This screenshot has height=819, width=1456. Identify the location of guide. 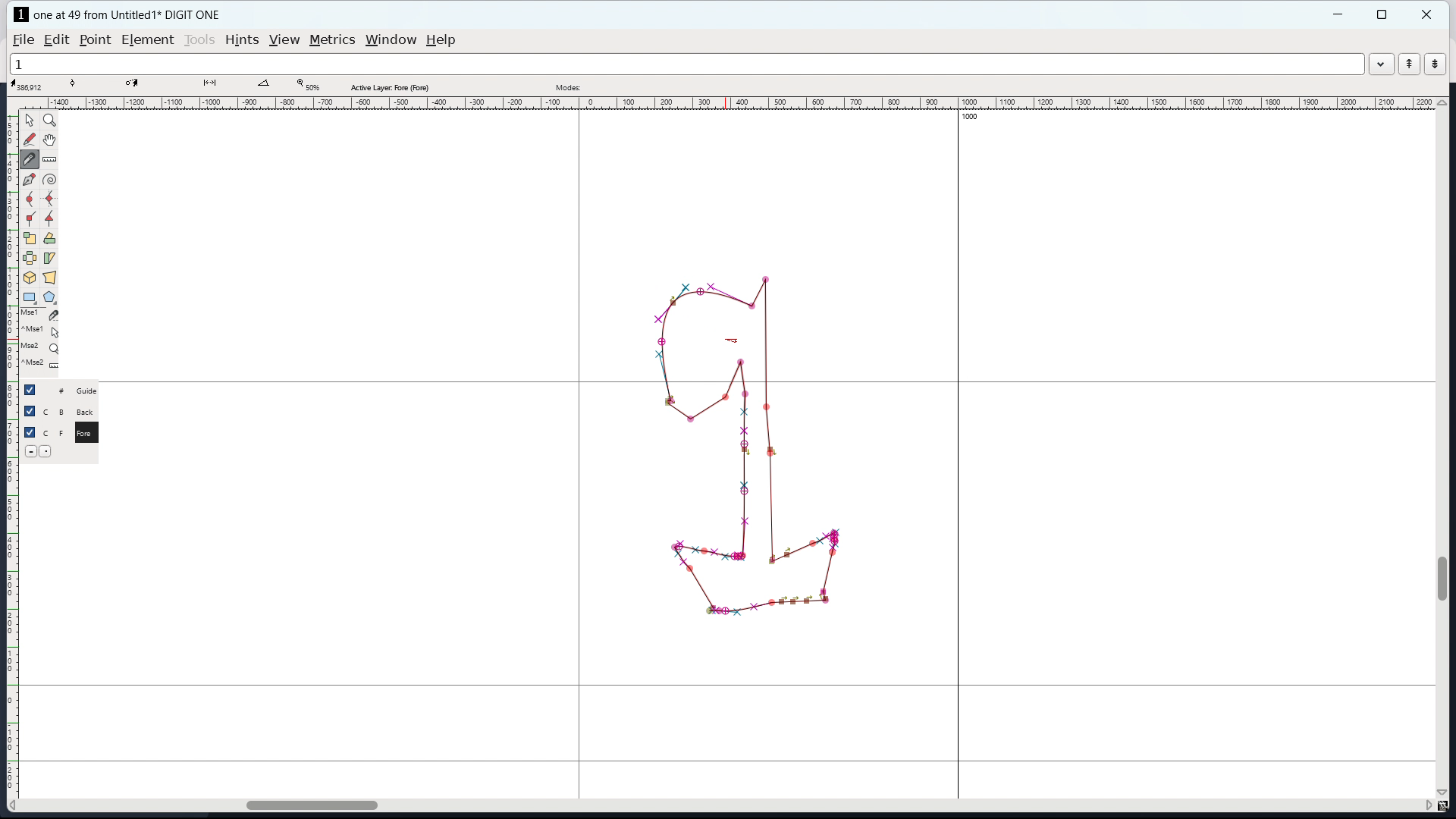
(91, 391).